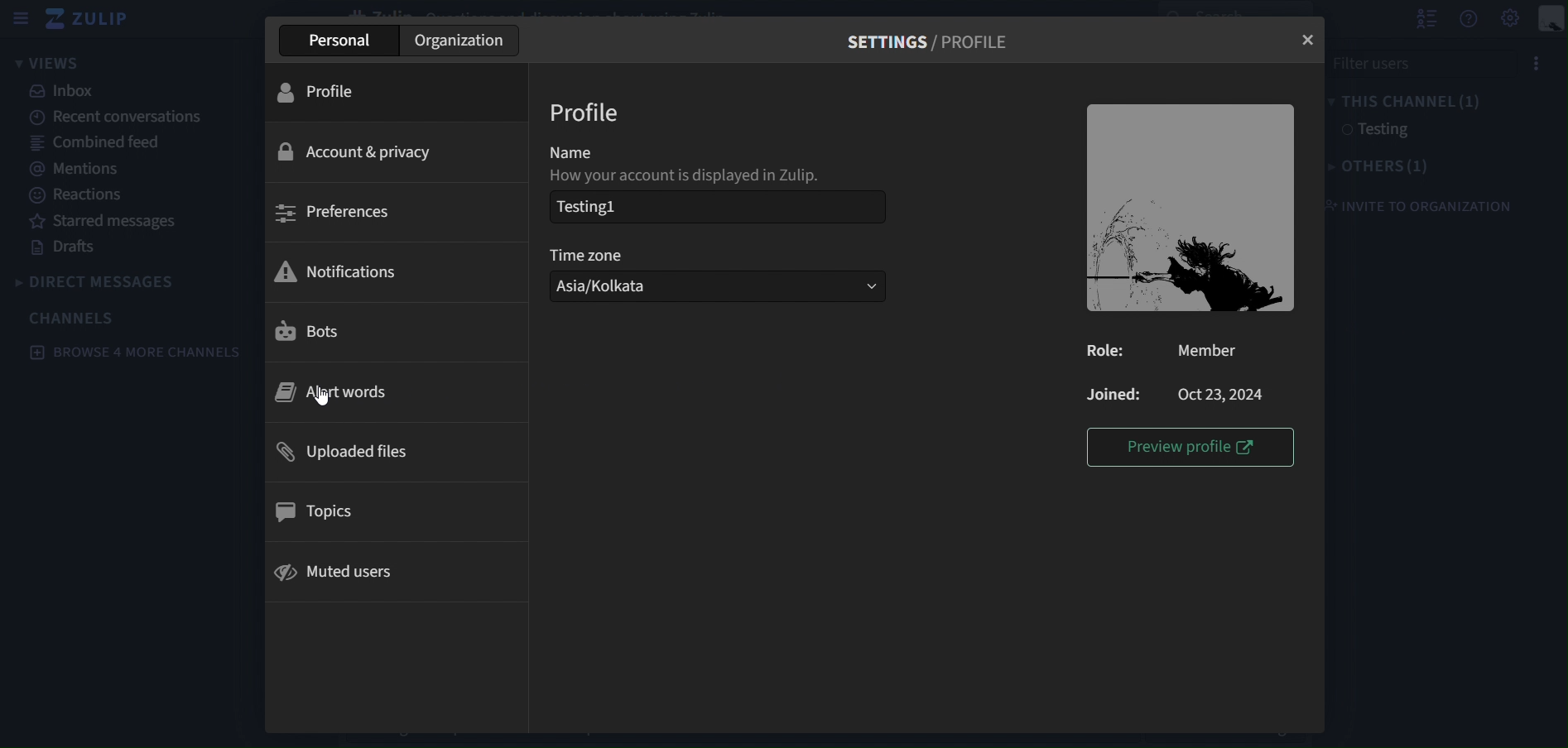  What do you see at coordinates (318, 509) in the screenshot?
I see `topics` at bounding box center [318, 509].